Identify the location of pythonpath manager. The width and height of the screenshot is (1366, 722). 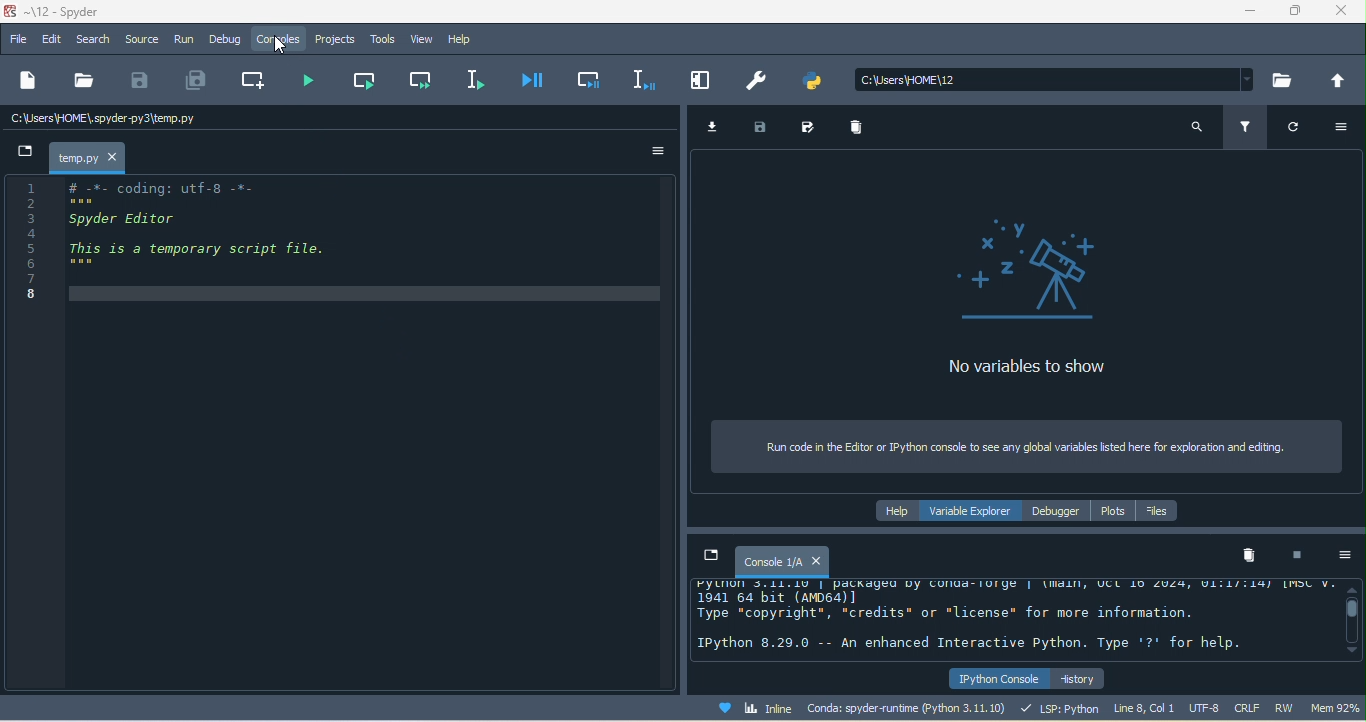
(819, 78).